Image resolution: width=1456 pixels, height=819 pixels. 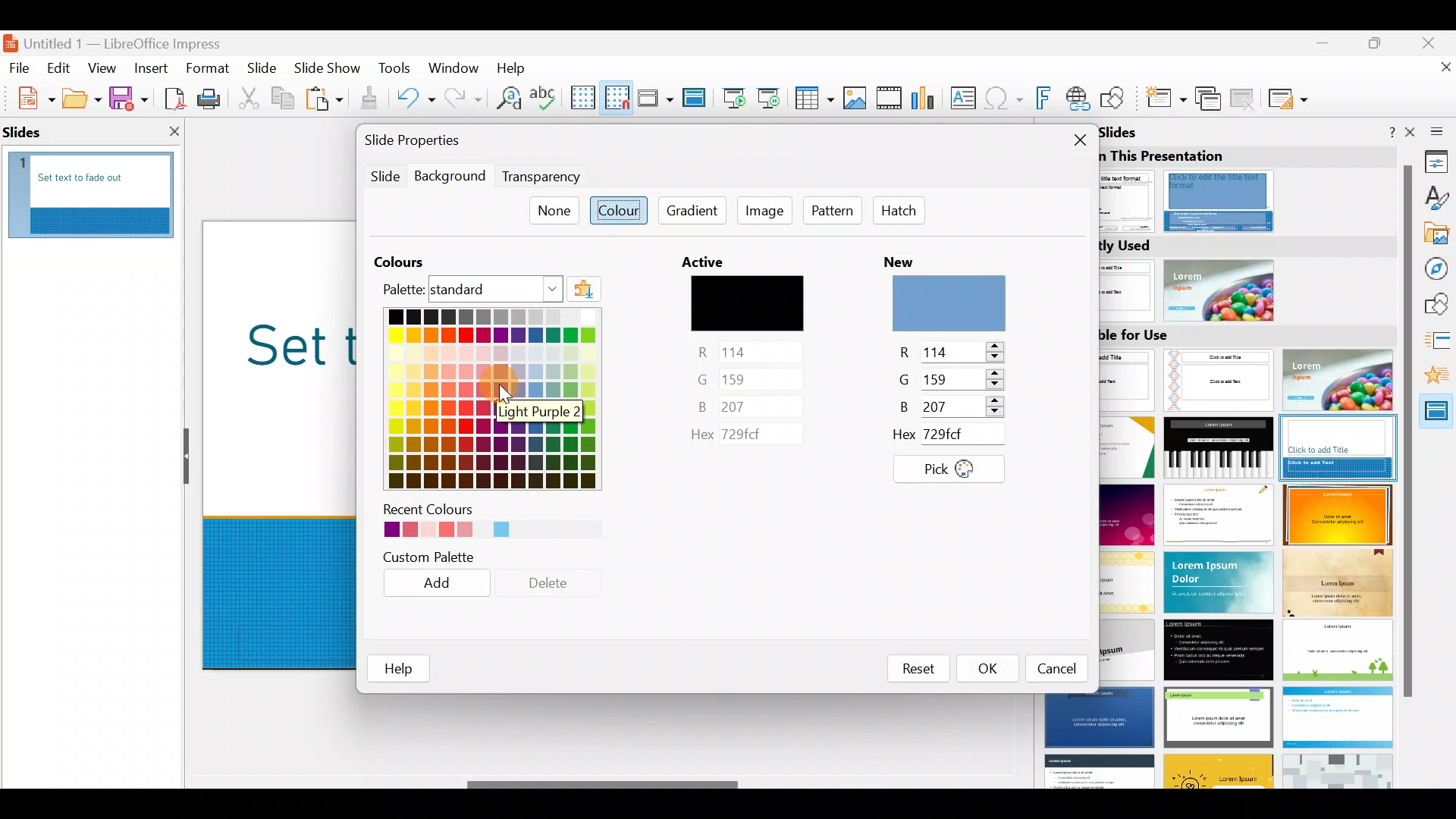 I want to click on Insert, so click(x=150, y=68).